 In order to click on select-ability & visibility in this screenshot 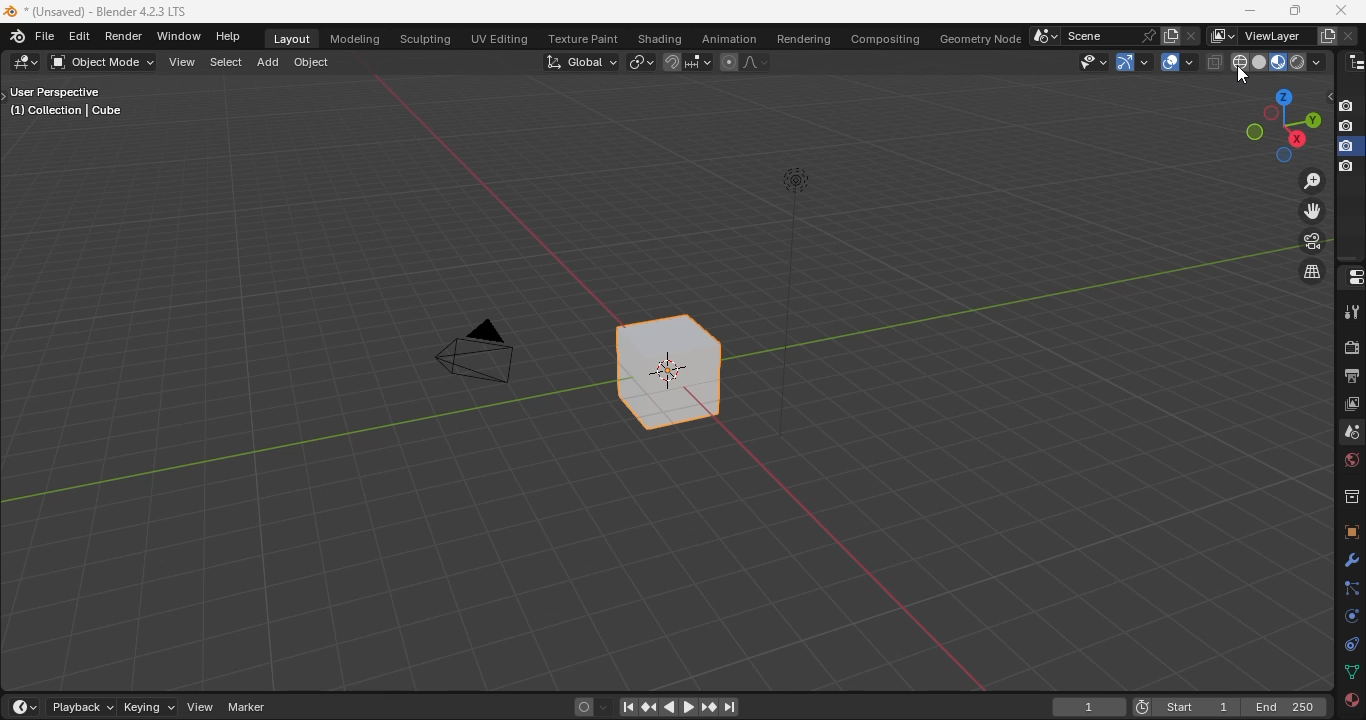, I will do `click(1096, 62)`.